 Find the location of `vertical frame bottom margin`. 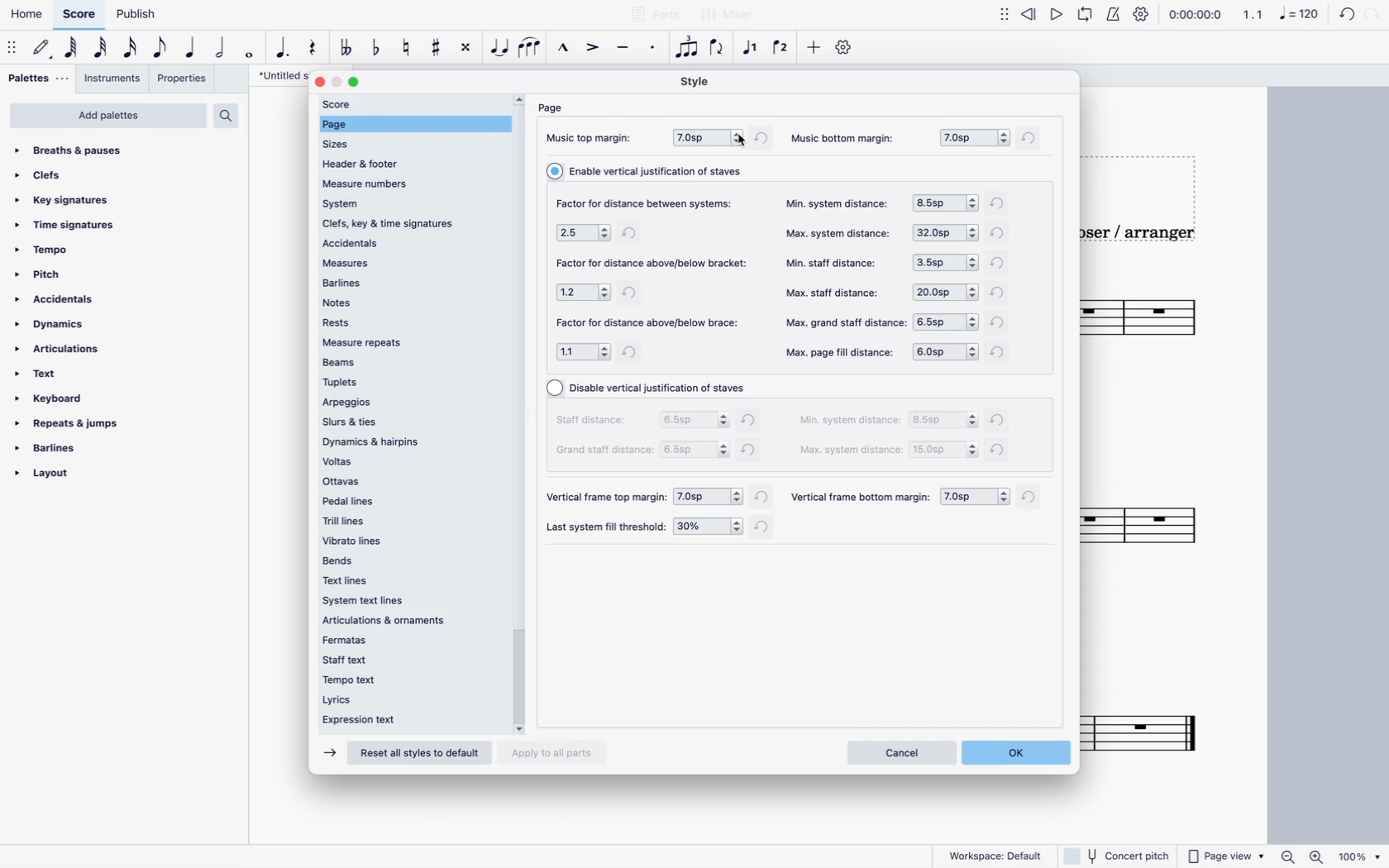

vertical frame bottom margin is located at coordinates (861, 498).